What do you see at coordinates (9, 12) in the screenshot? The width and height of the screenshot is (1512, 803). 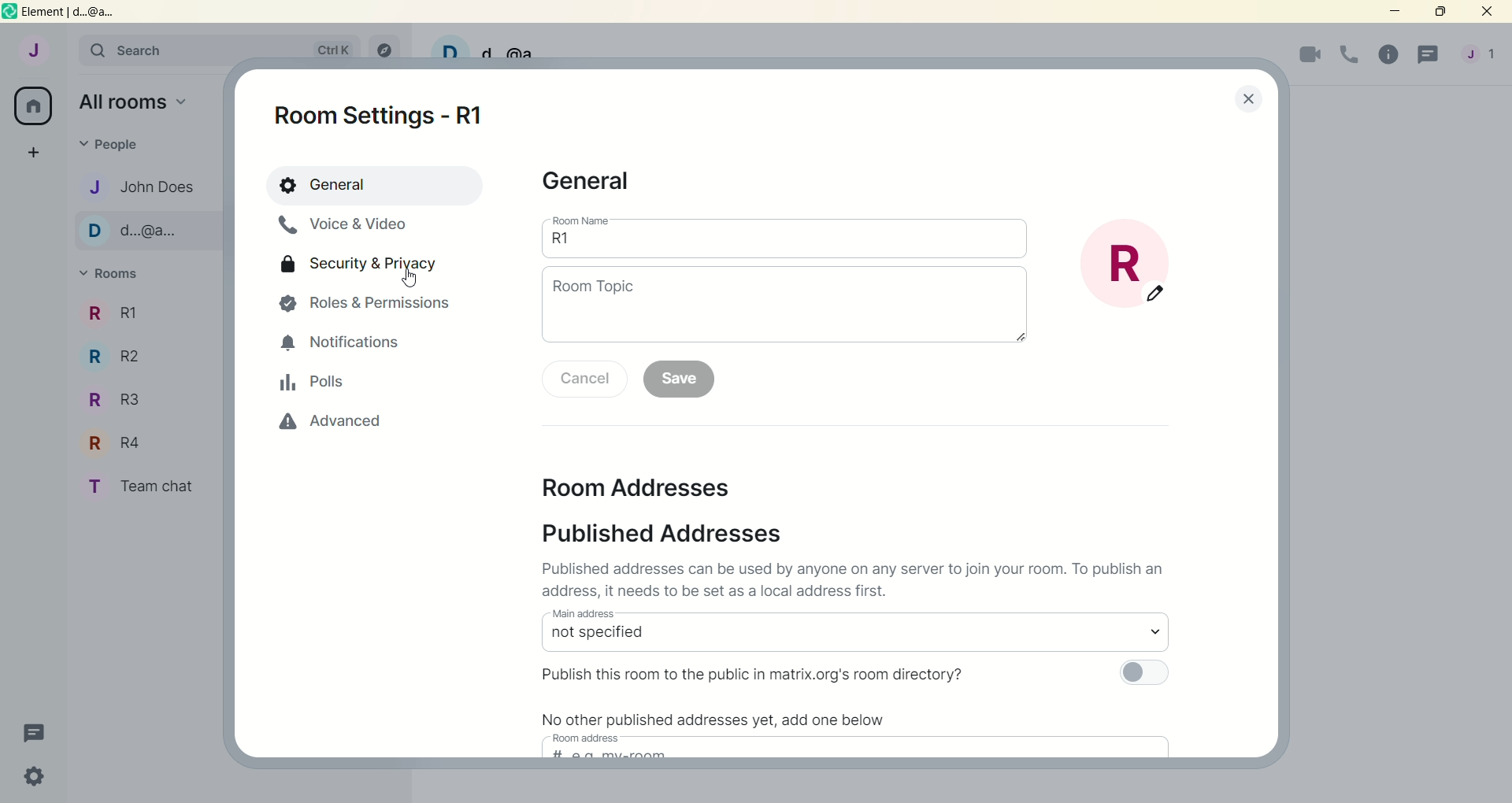 I see `logo` at bounding box center [9, 12].